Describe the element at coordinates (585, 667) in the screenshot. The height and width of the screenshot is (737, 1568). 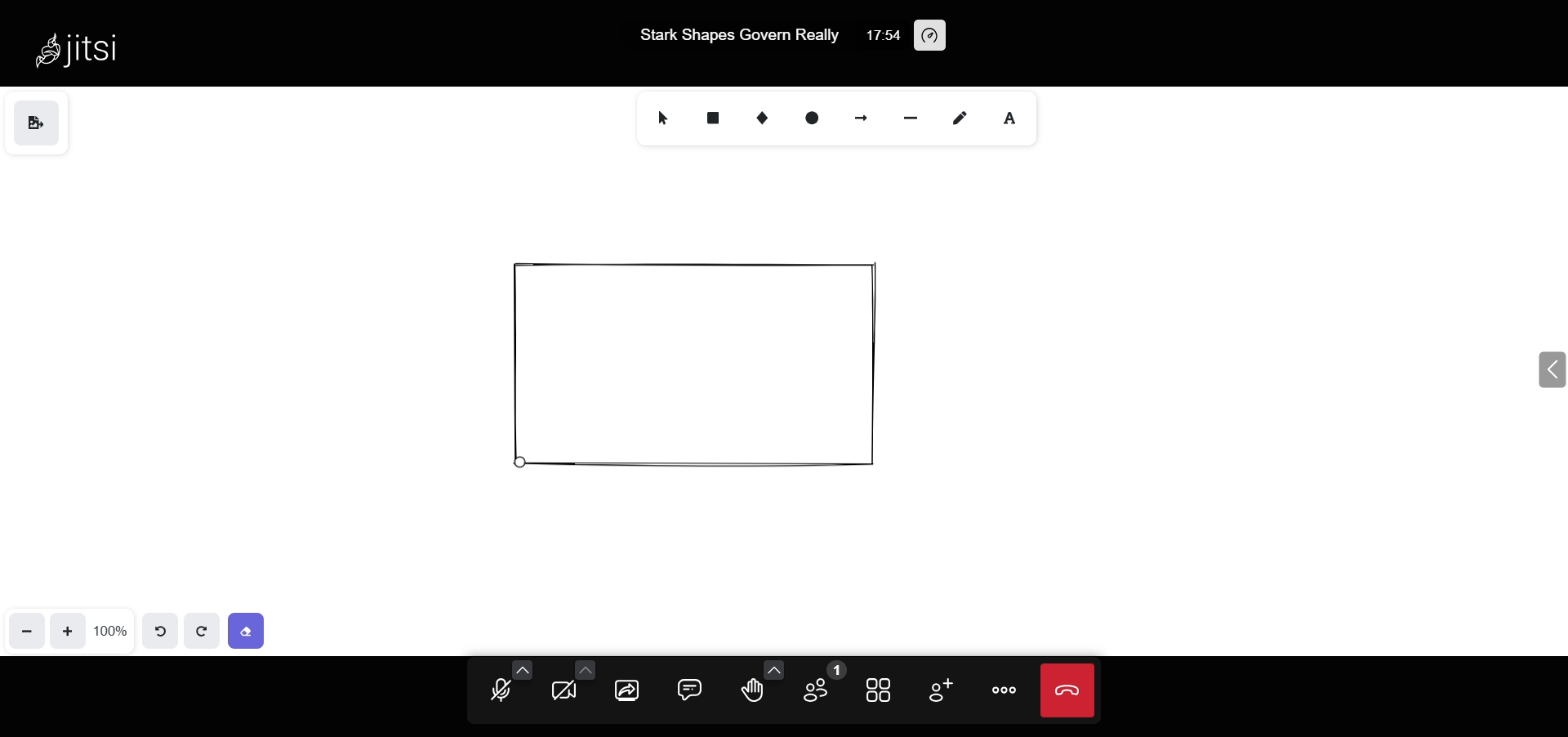
I see `more camera setting` at that location.